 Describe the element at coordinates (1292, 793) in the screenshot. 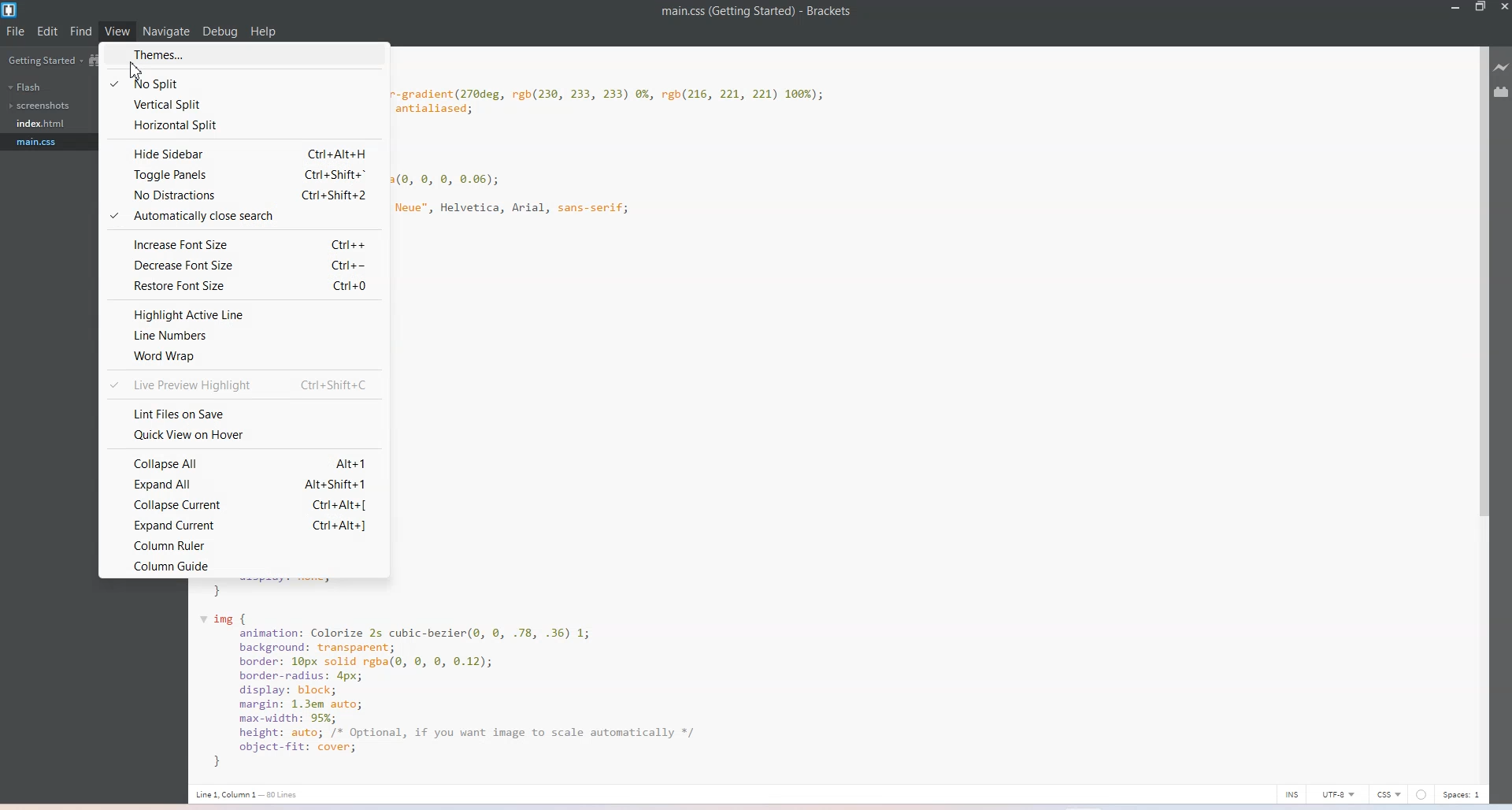

I see `INS` at that location.